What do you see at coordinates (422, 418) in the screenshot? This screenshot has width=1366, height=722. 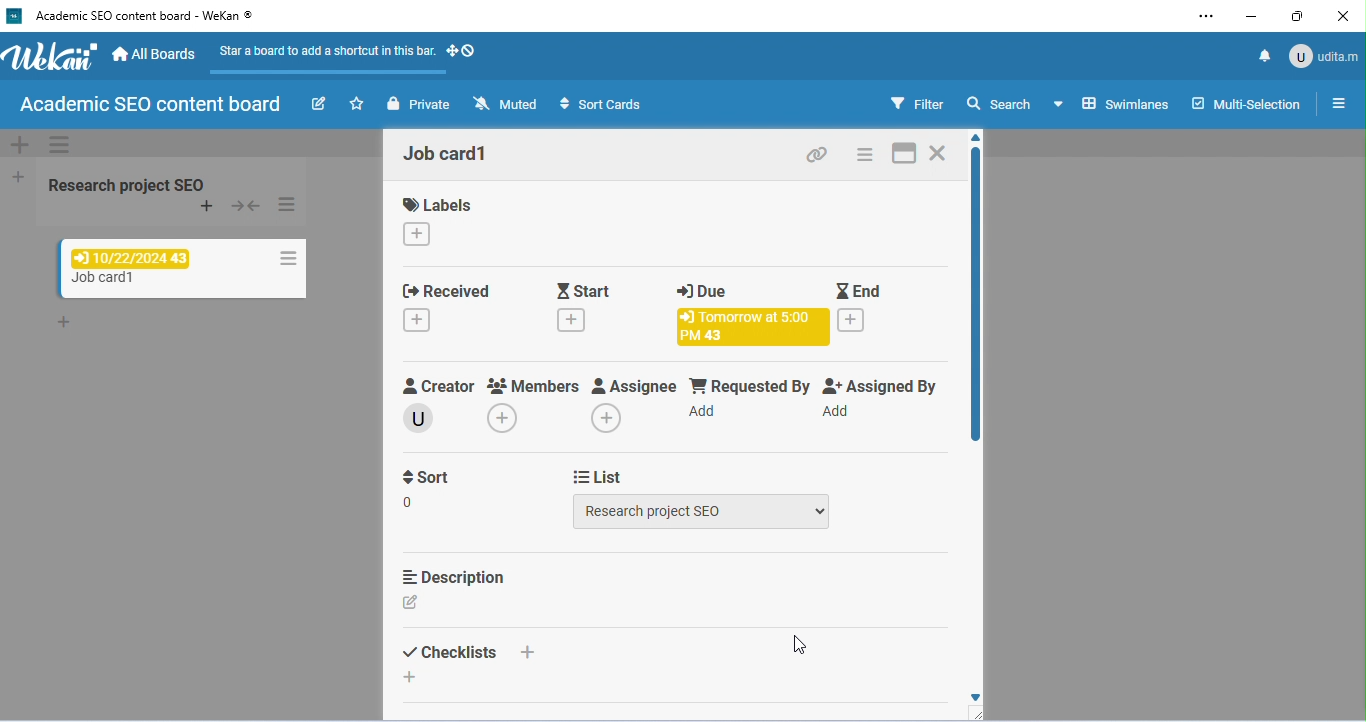 I see `creator name` at bounding box center [422, 418].